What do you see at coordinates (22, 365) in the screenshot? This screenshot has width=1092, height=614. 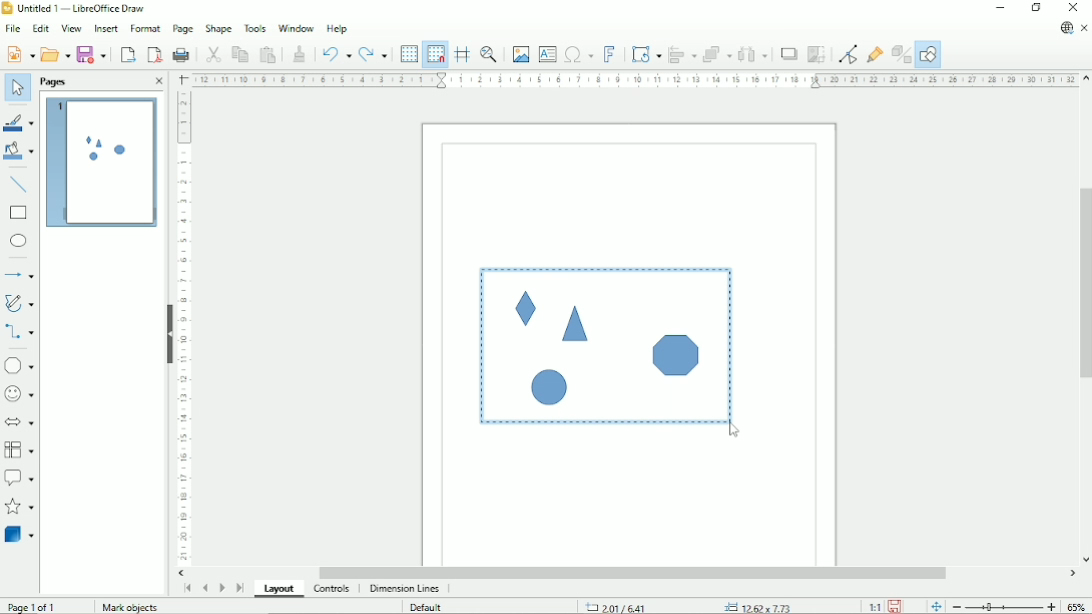 I see `Basic shapes` at bounding box center [22, 365].